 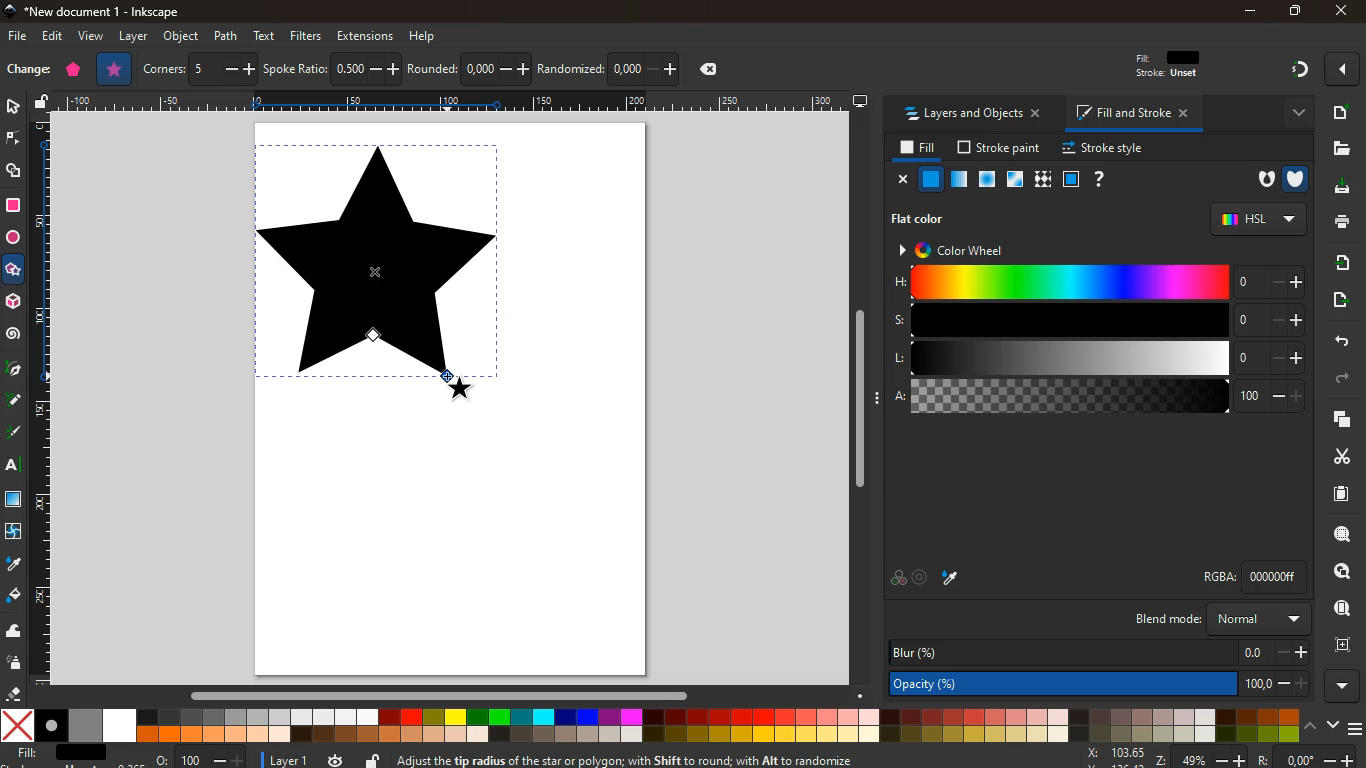 What do you see at coordinates (14, 662) in the screenshot?
I see `spray` at bounding box center [14, 662].